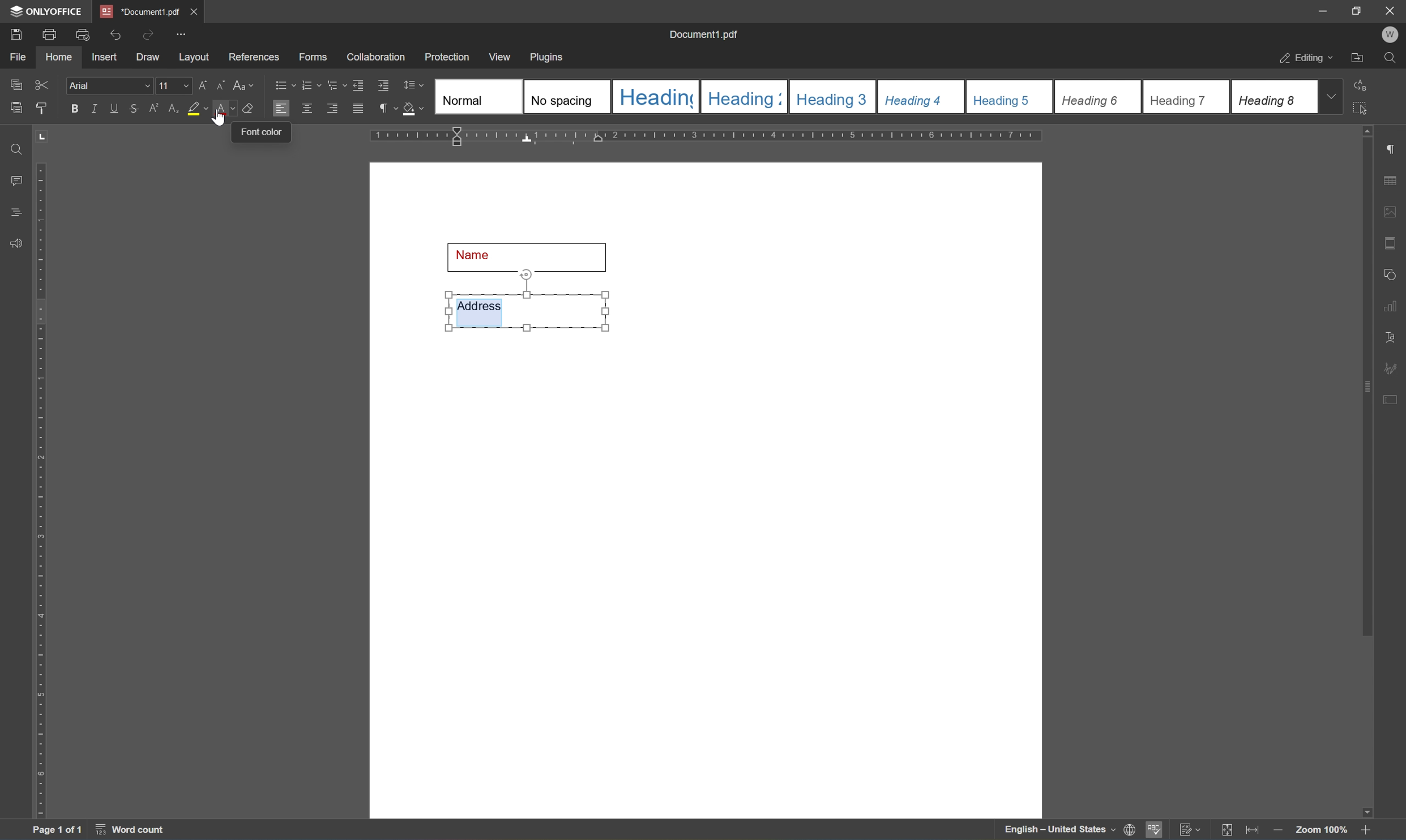 This screenshot has width=1406, height=840. Describe the element at coordinates (1362, 809) in the screenshot. I see `scroll down` at that location.